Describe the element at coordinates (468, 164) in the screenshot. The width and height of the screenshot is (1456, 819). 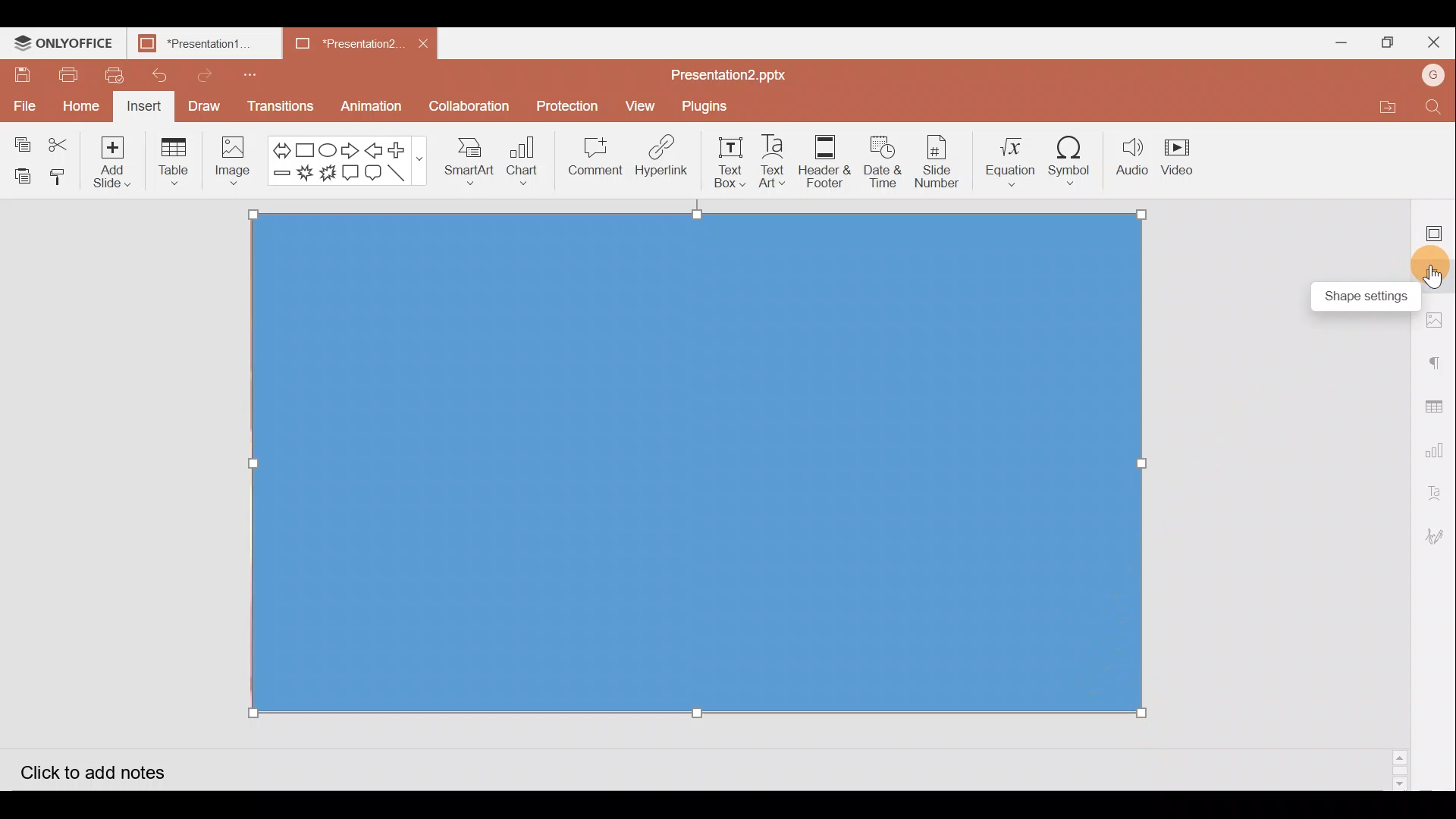
I see `SmartArt` at that location.